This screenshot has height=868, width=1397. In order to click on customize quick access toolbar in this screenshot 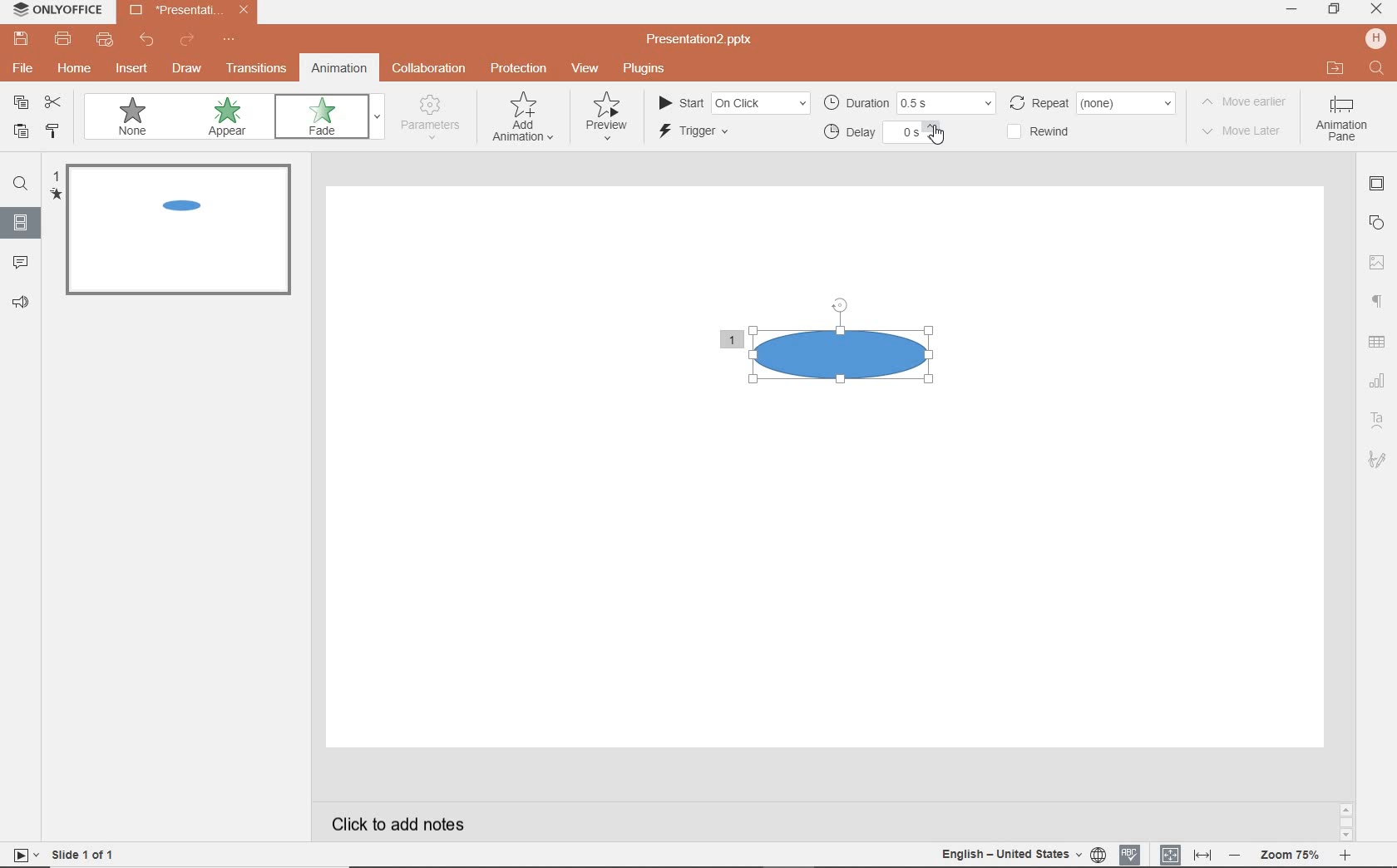, I will do `click(229, 39)`.